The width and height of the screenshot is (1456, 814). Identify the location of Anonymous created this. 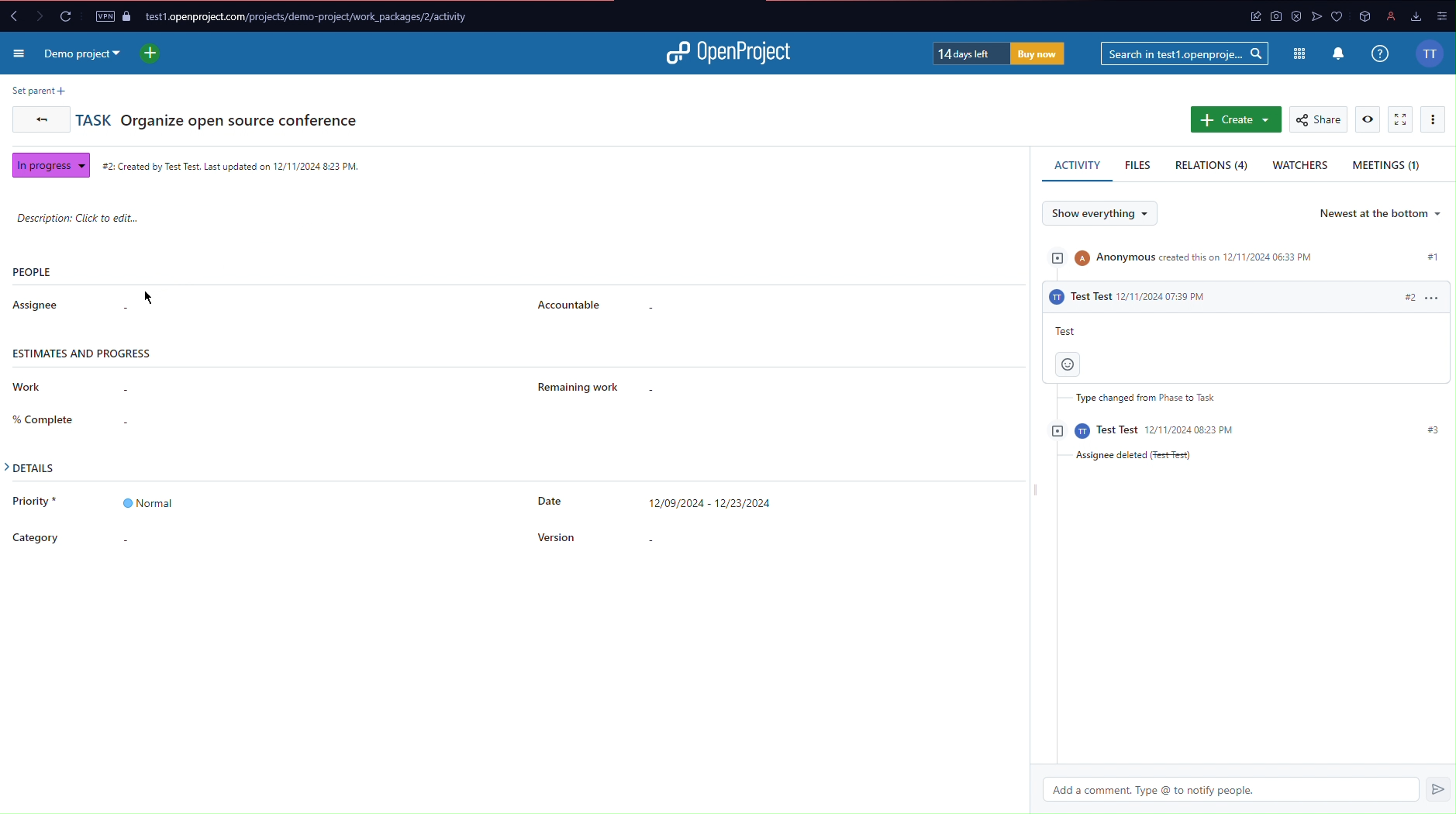
(1186, 254).